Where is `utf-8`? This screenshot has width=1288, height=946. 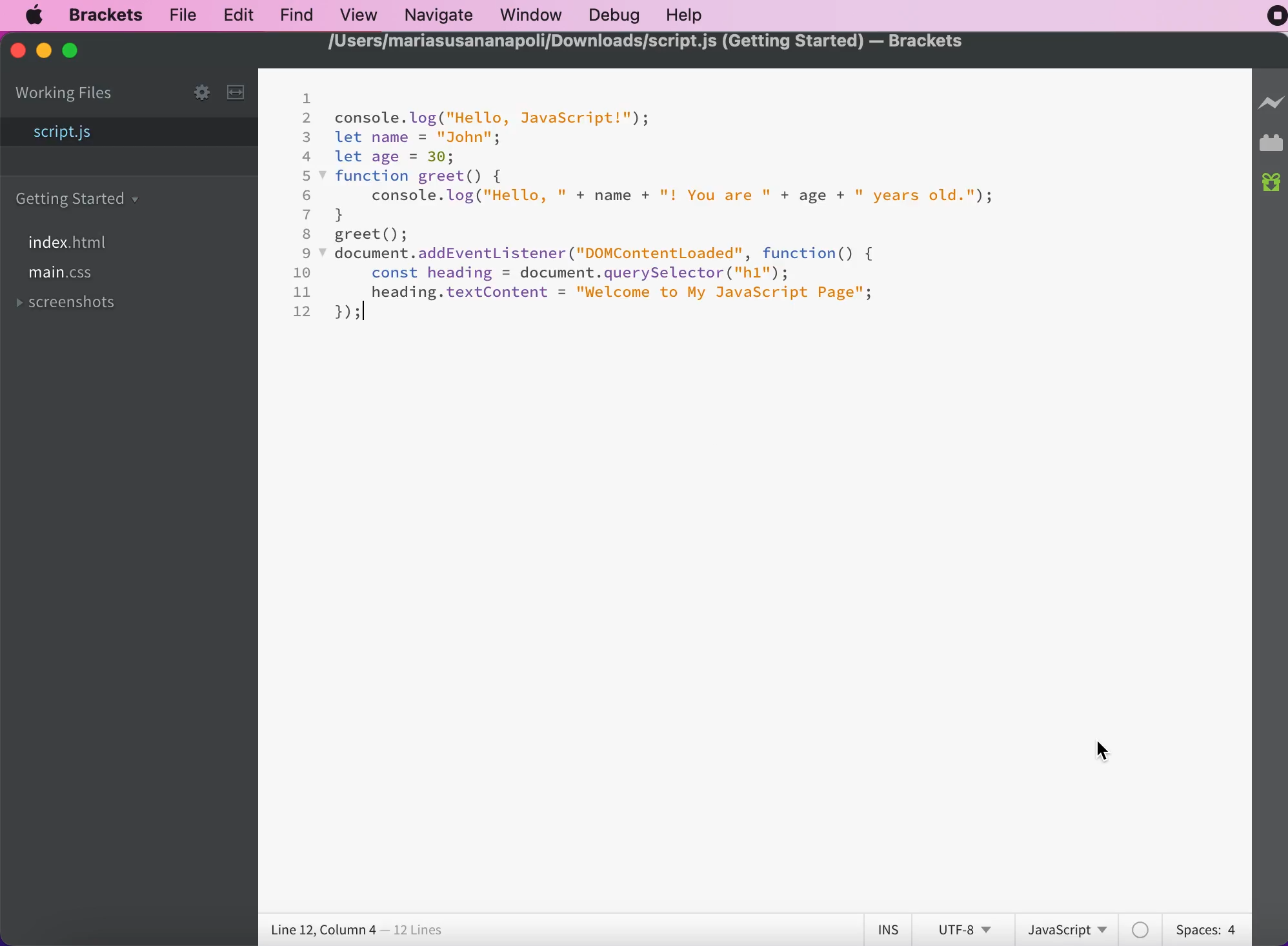 utf-8 is located at coordinates (962, 928).